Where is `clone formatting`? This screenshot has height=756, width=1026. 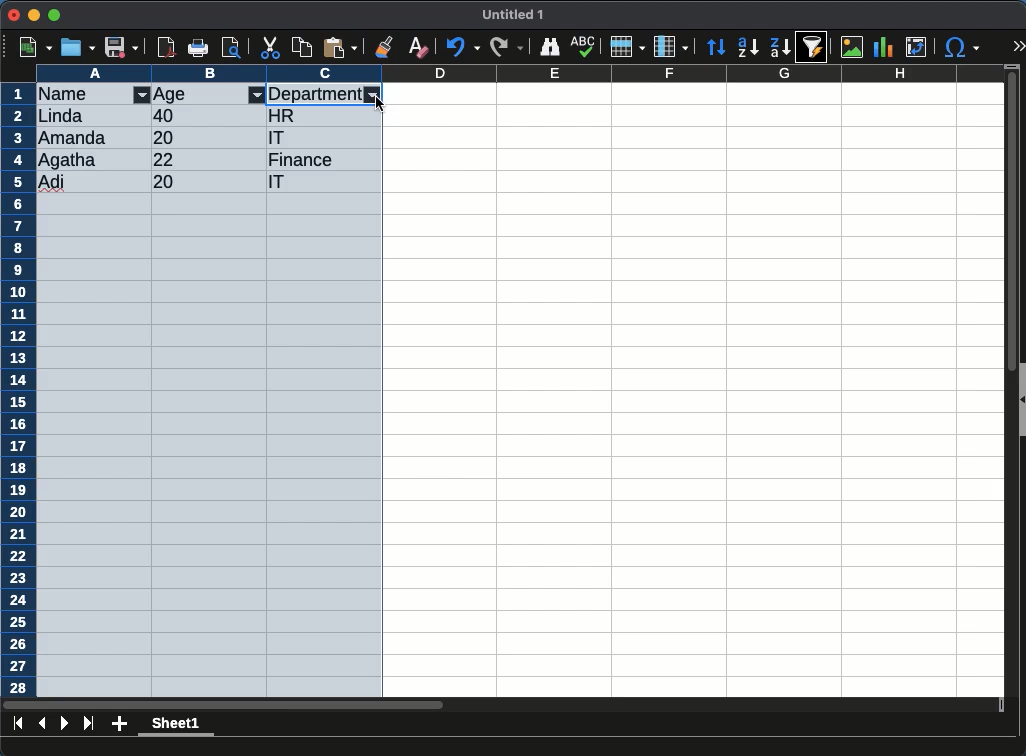
clone formatting is located at coordinates (386, 46).